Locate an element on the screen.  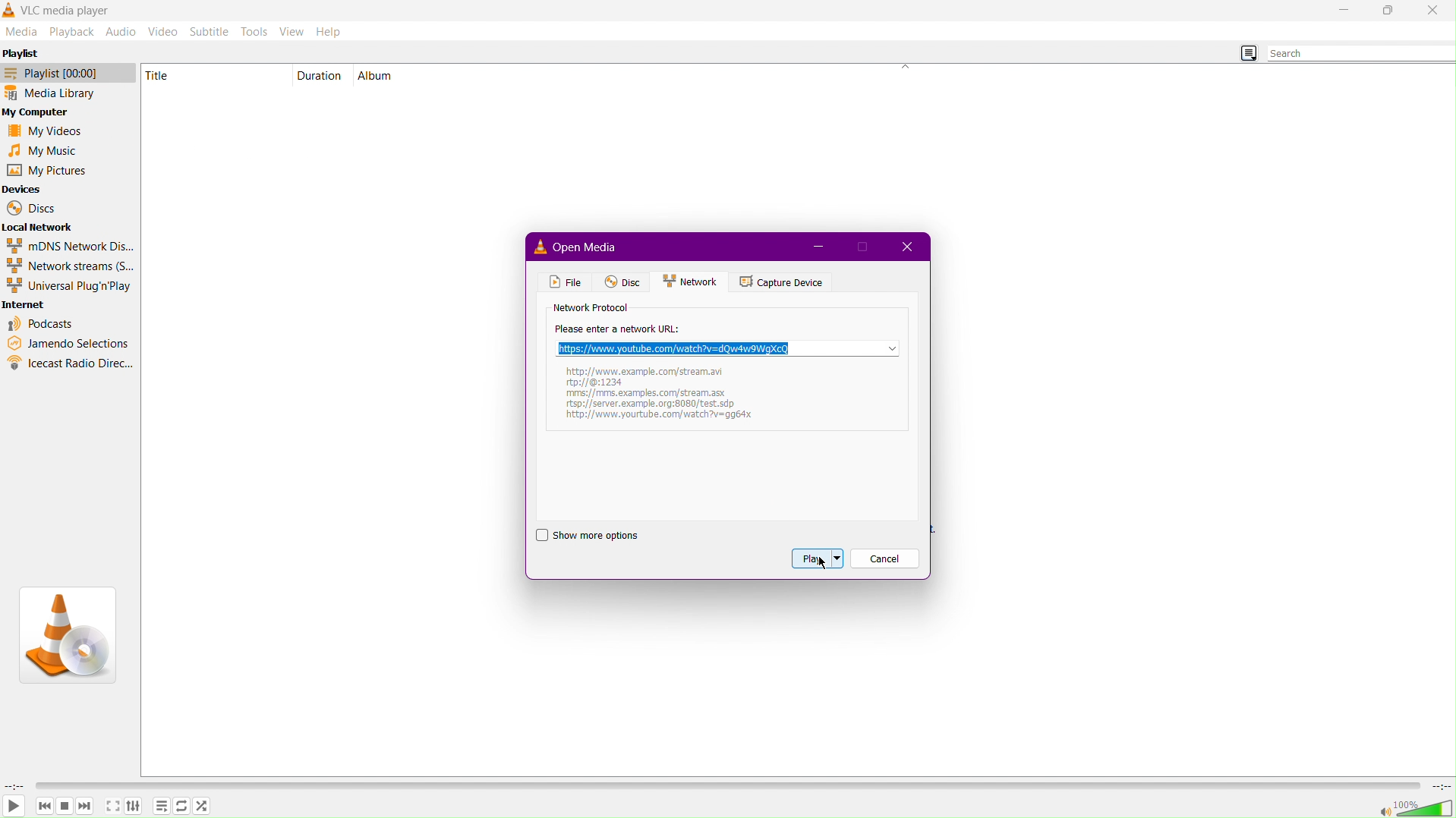
Show more options is located at coordinates (598, 536).